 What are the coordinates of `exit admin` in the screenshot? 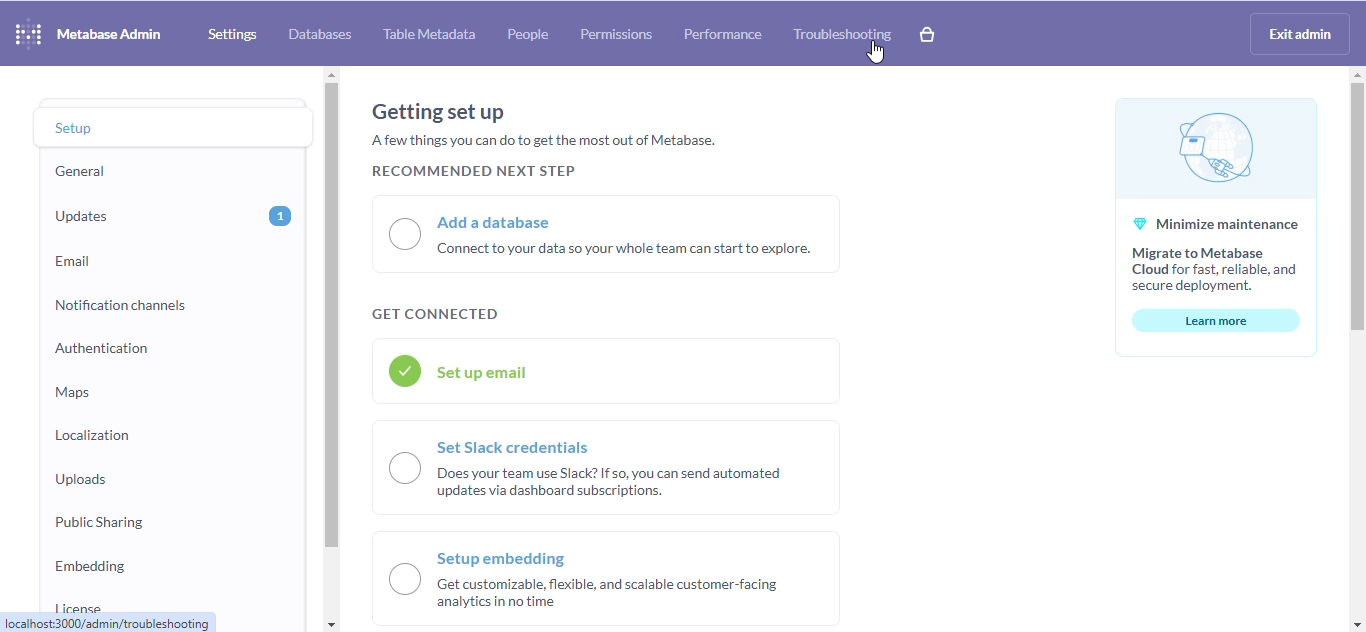 It's located at (1300, 34).